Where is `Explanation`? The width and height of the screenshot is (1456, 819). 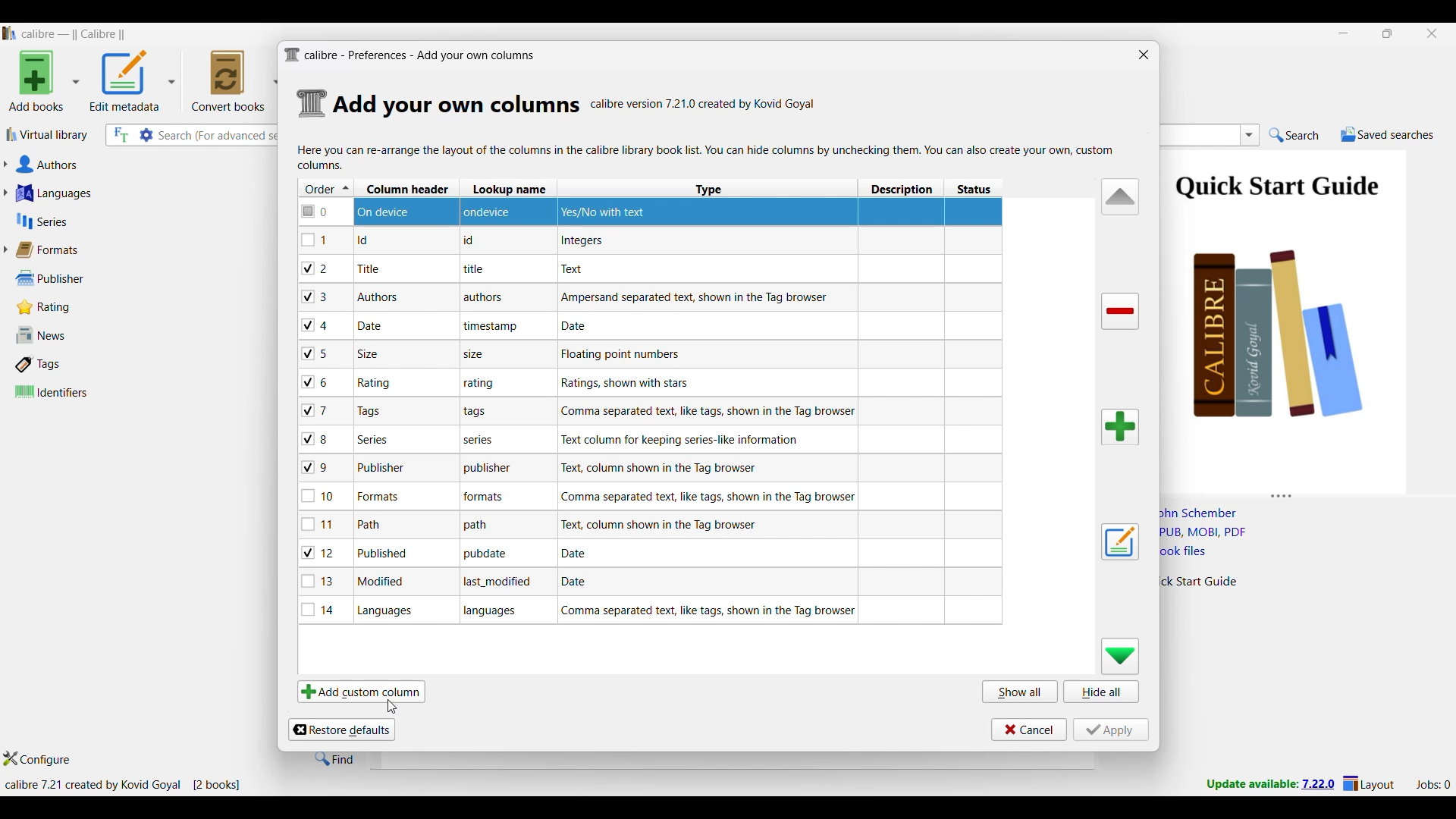
Explanation is located at coordinates (673, 468).